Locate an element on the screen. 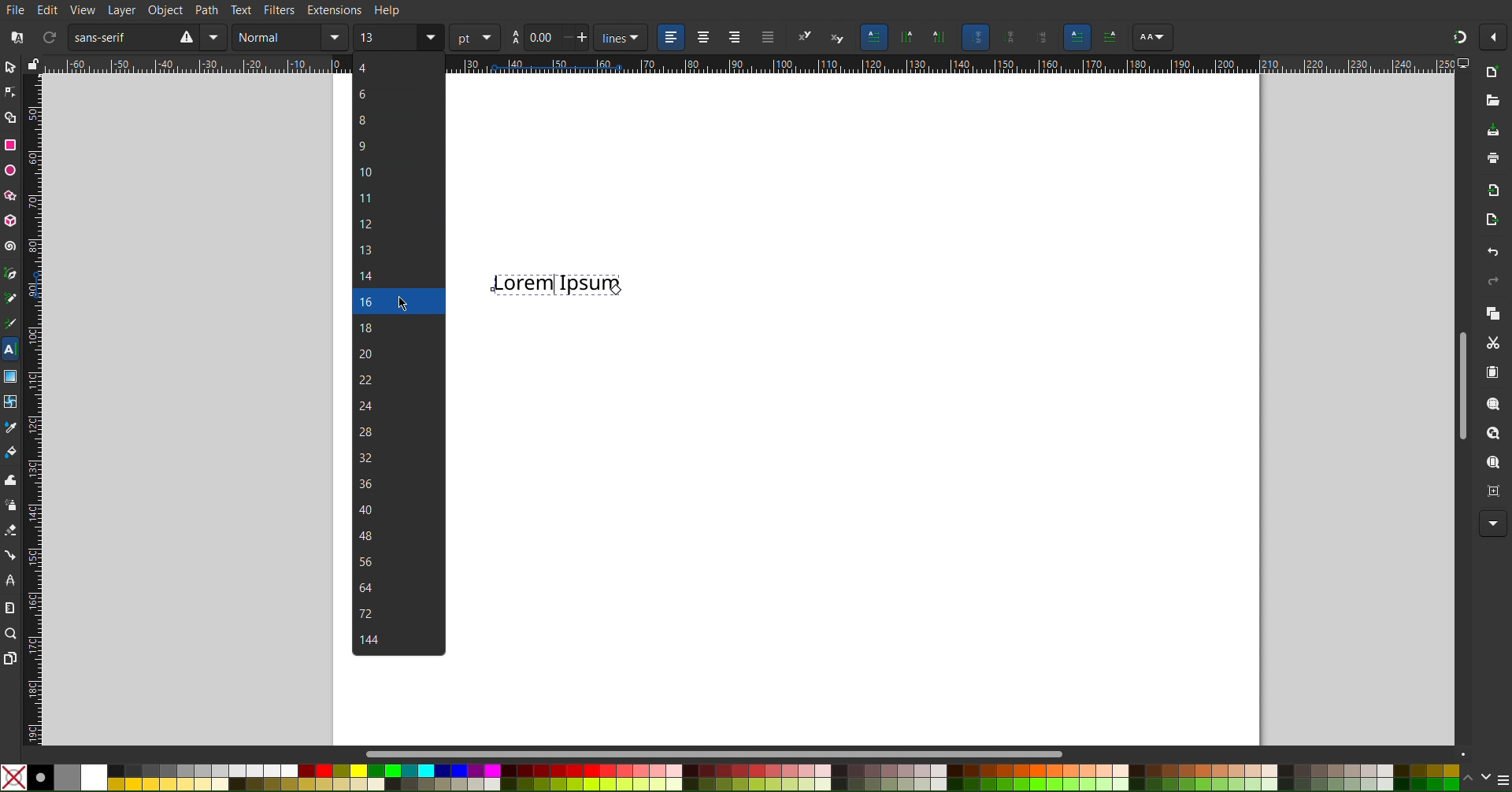  menu is located at coordinates (1503, 779).